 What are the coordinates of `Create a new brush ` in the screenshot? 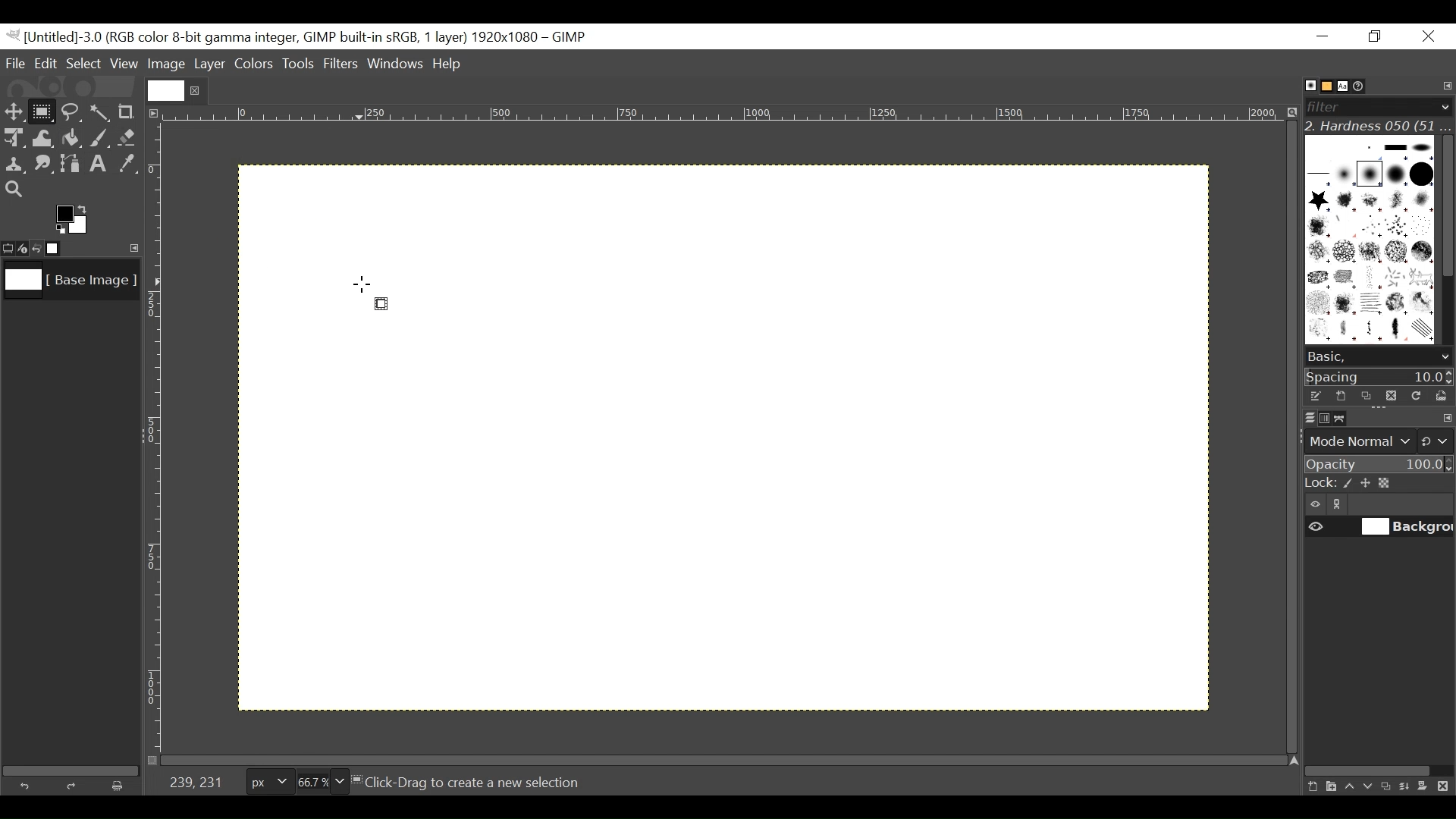 It's located at (1340, 396).